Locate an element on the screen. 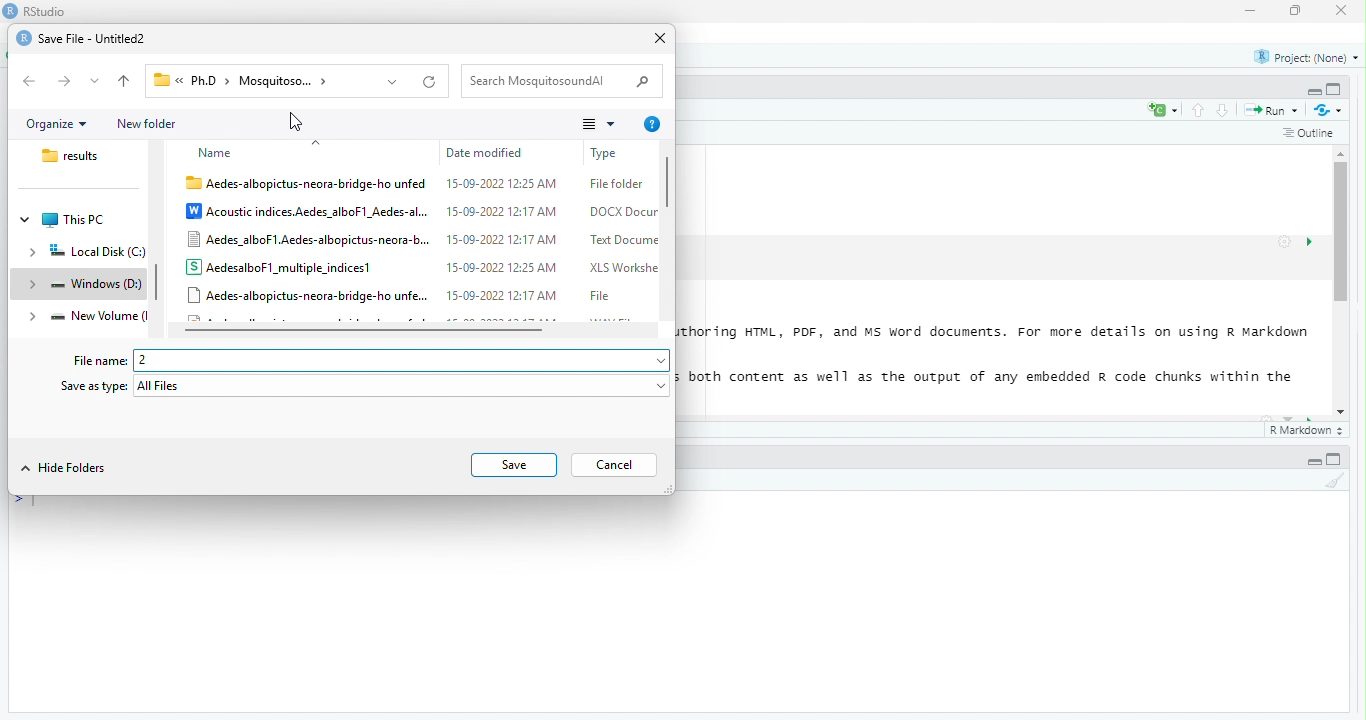  results is located at coordinates (74, 156).